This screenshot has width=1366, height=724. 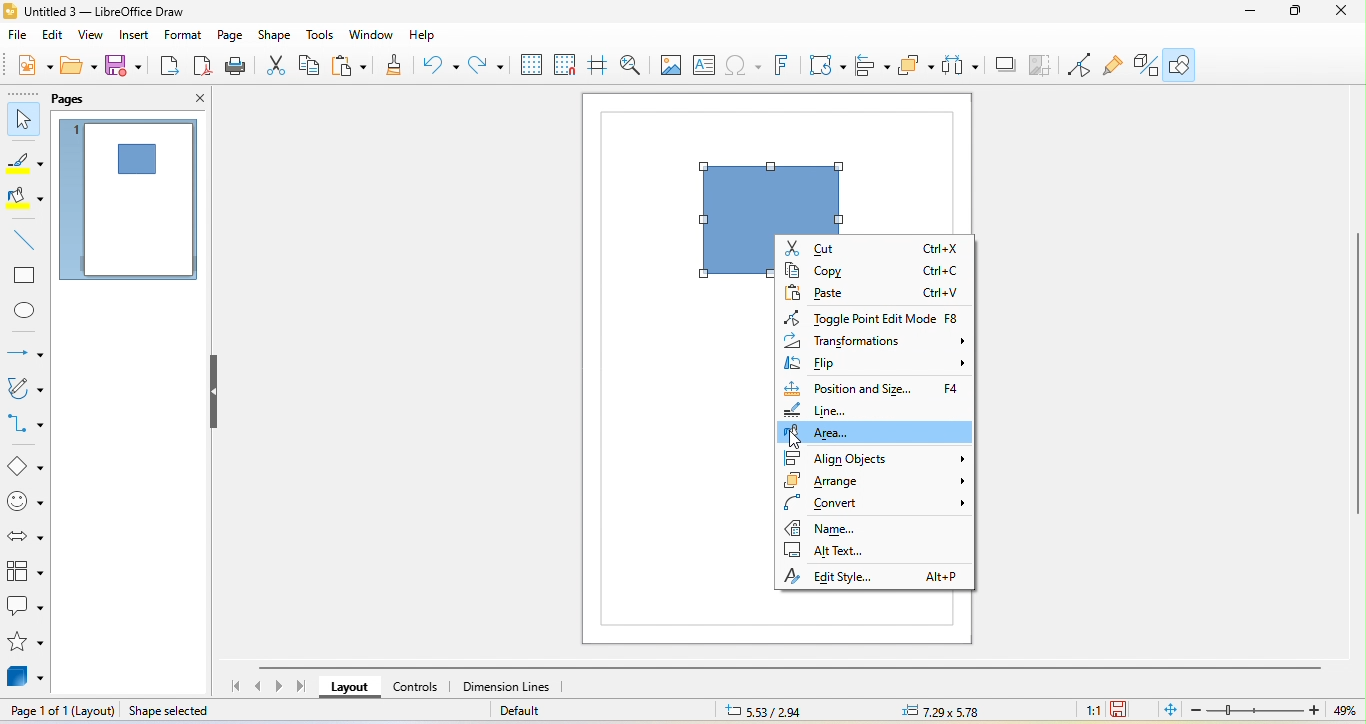 What do you see at coordinates (1041, 66) in the screenshot?
I see `crop image` at bounding box center [1041, 66].